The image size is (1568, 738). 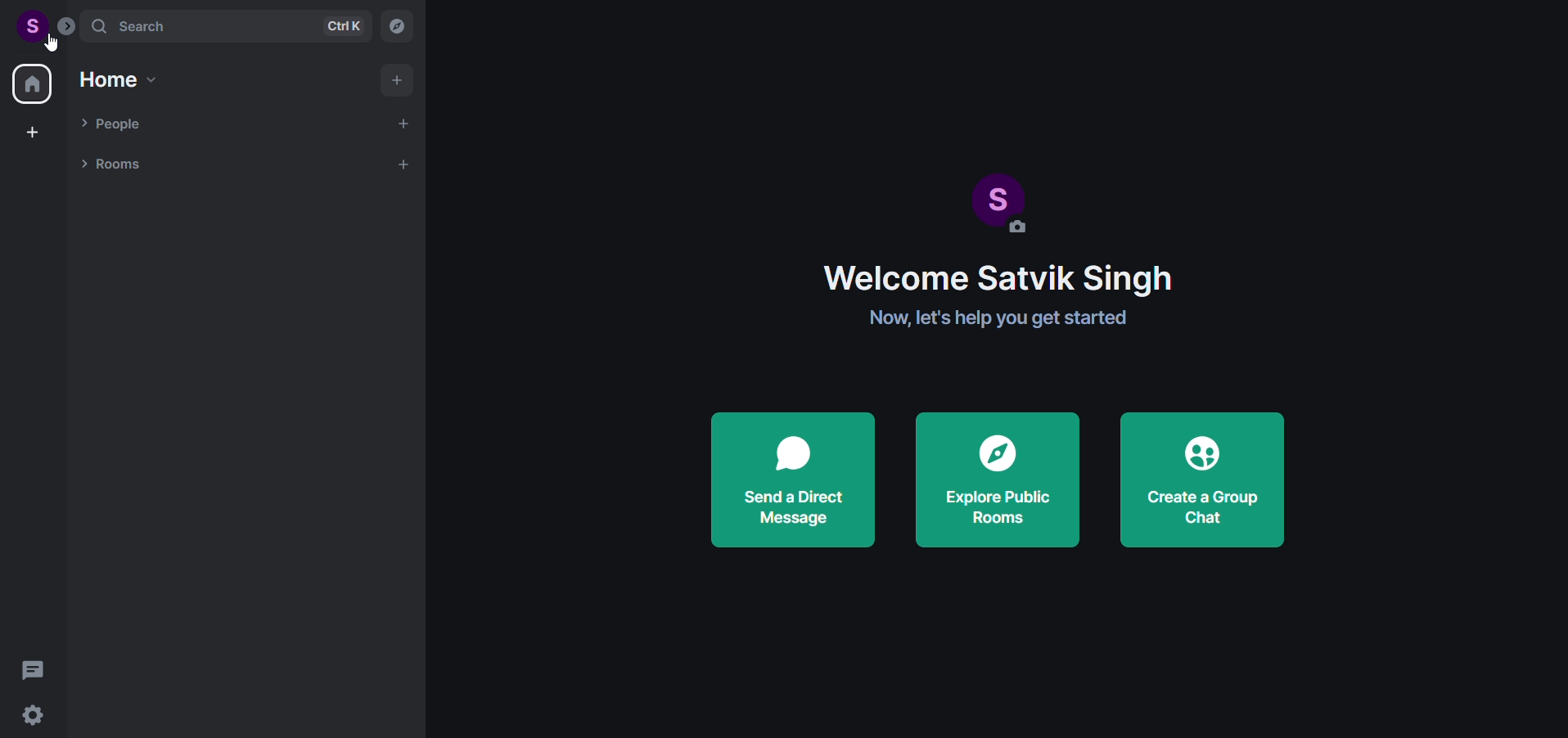 I want to click on setting, so click(x=39, y=713).